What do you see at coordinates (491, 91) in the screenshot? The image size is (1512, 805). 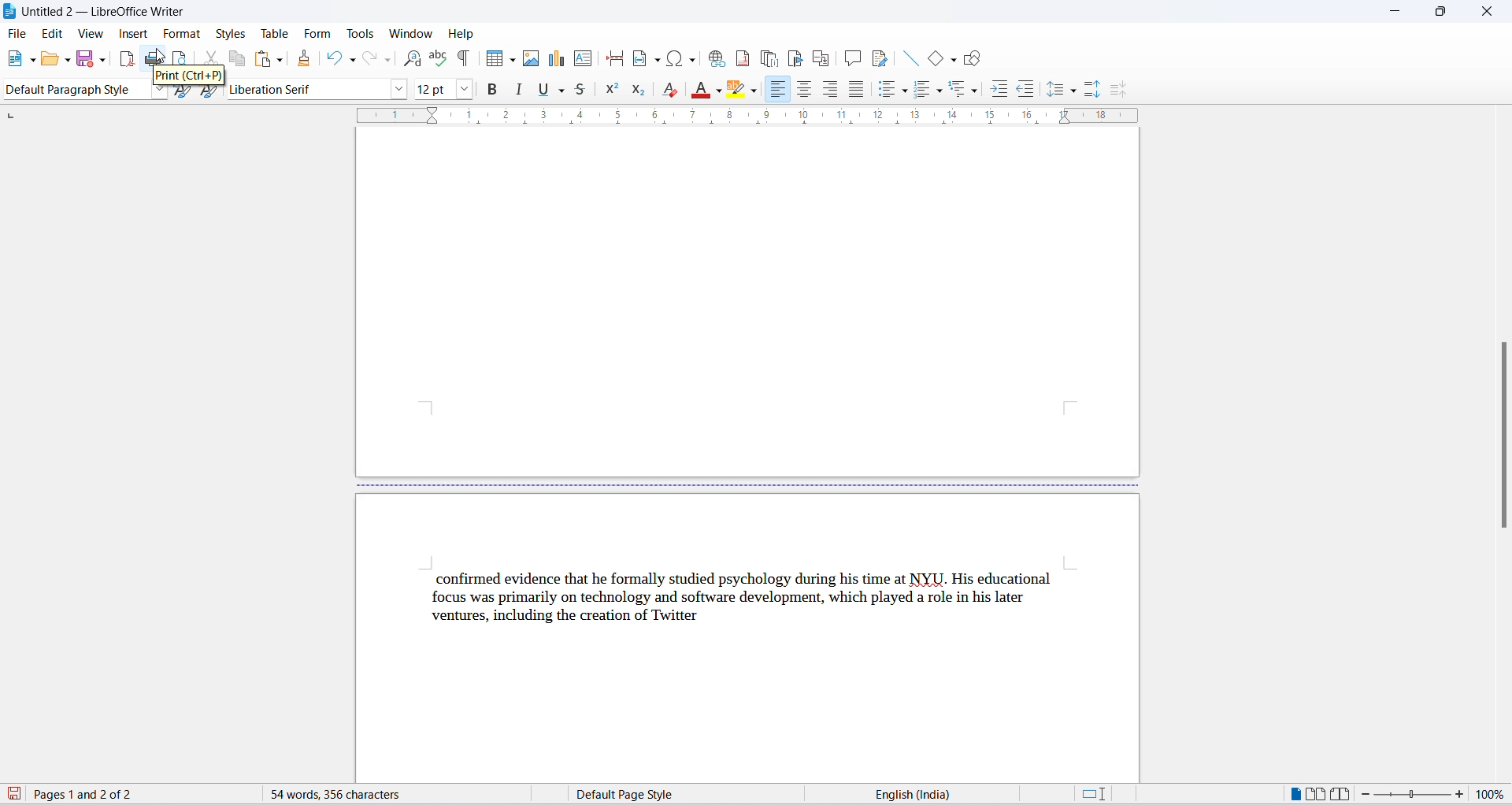 I see `bold` at bounding box center [491, 91].